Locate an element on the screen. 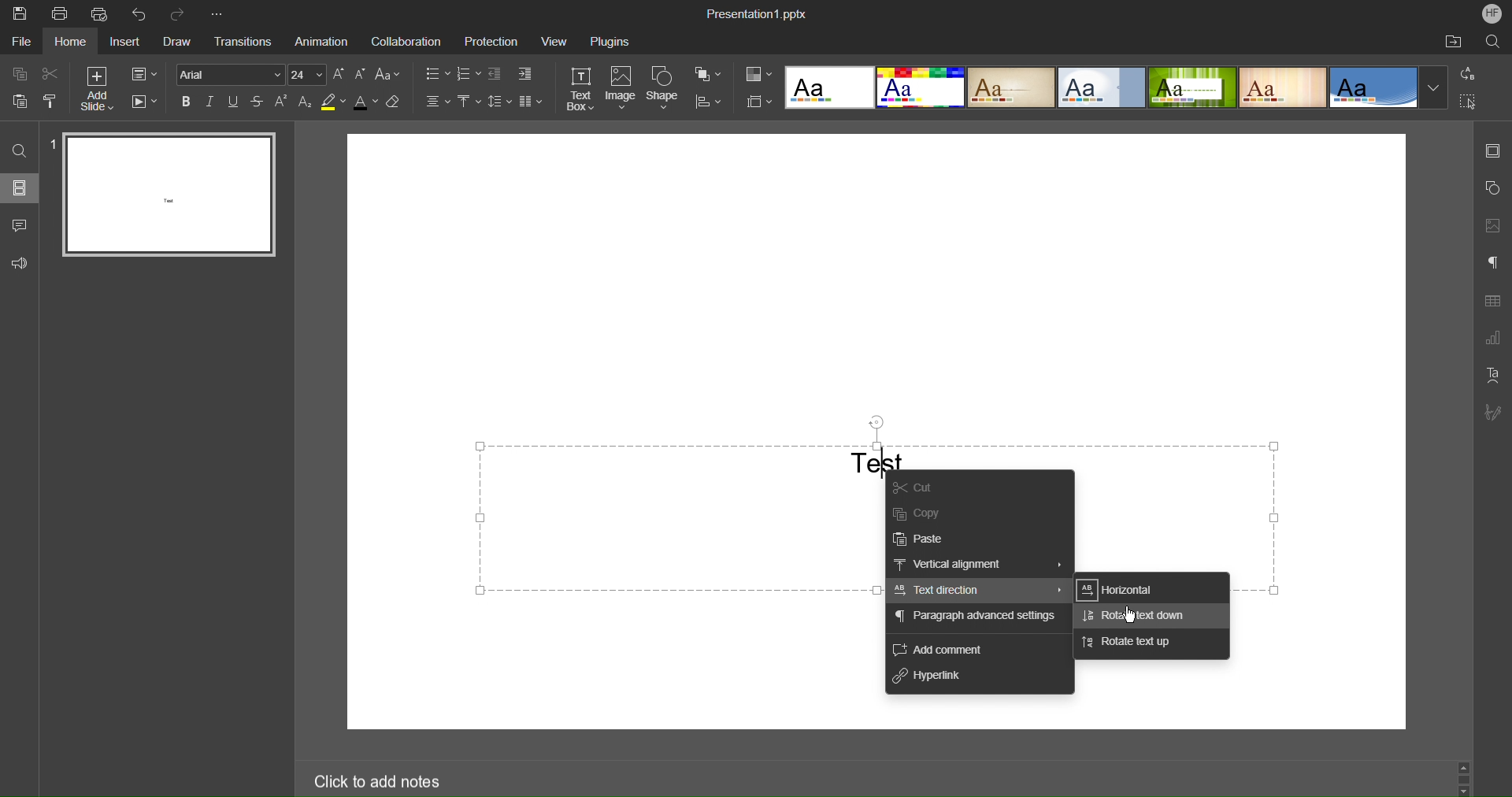 This screenshot has width=1512, height=797. Slides is located at coordinates (22, 188).